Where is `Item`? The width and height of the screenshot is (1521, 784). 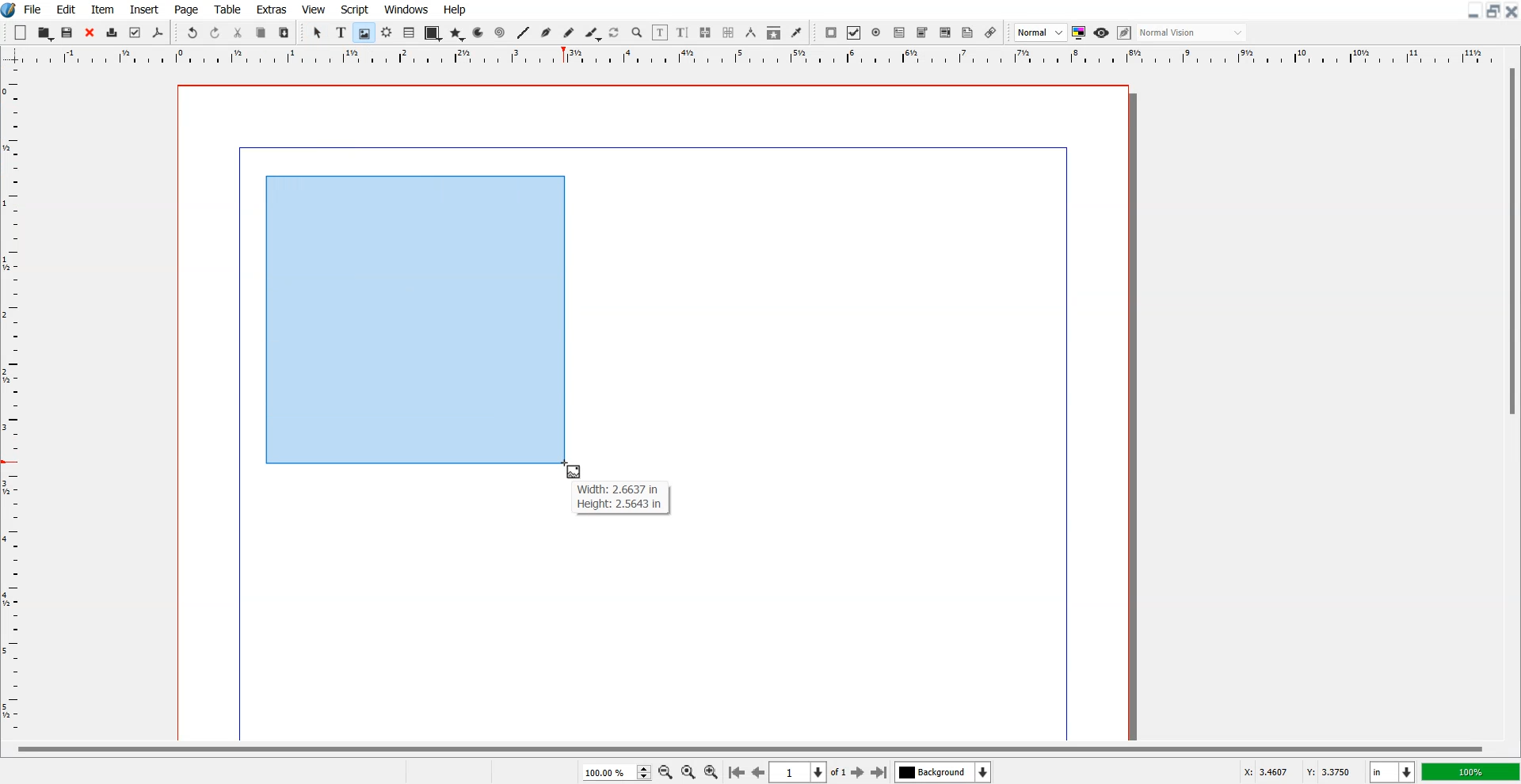
Item is located at coordinates (102, 9).